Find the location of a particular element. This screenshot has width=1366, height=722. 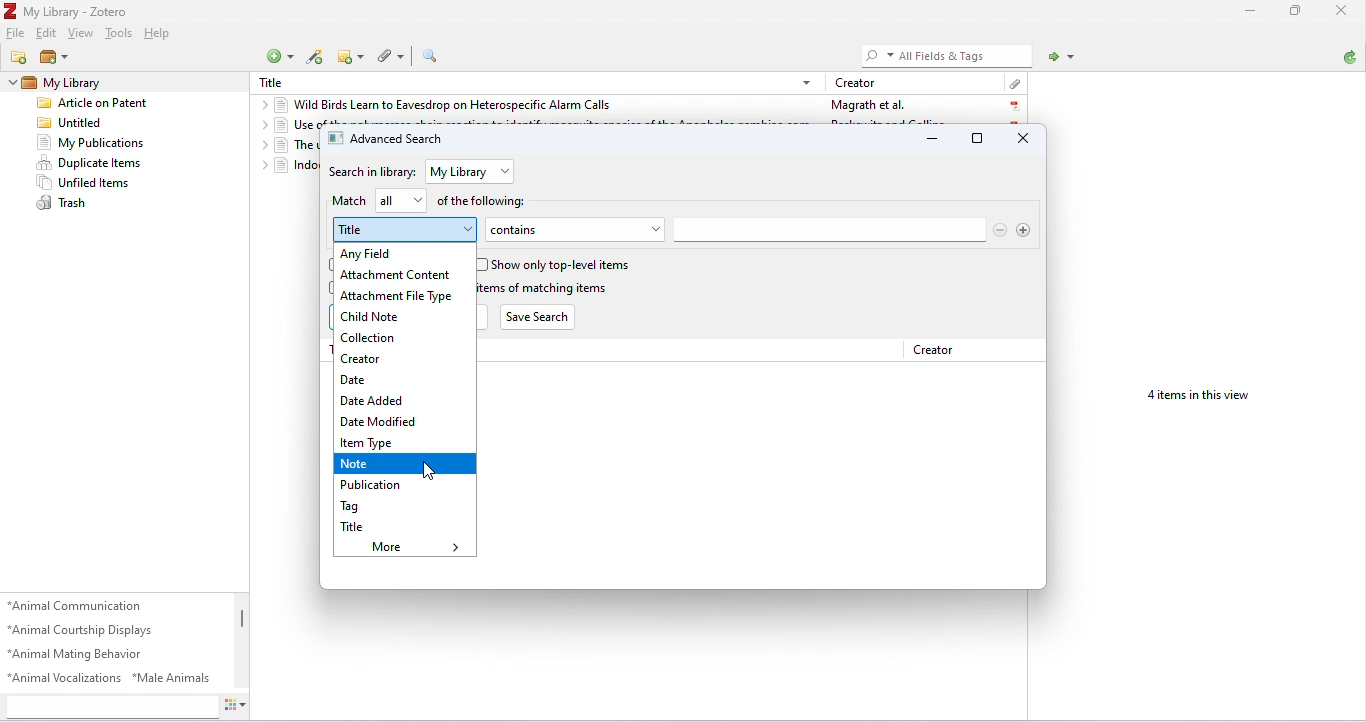

Article on patent is located at coordinates (96, 104).